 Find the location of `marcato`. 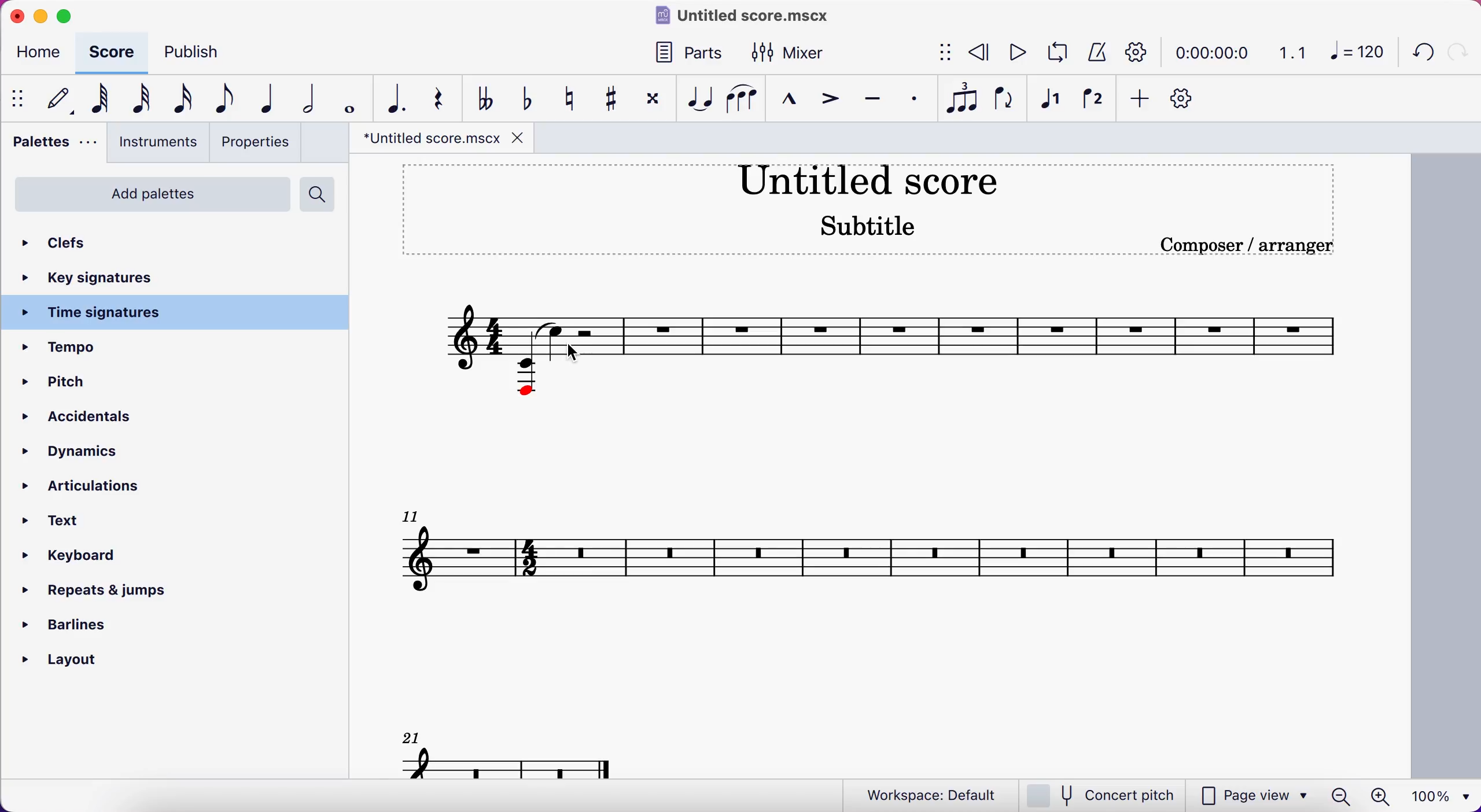

marcato is located at coordinates (787, 101).